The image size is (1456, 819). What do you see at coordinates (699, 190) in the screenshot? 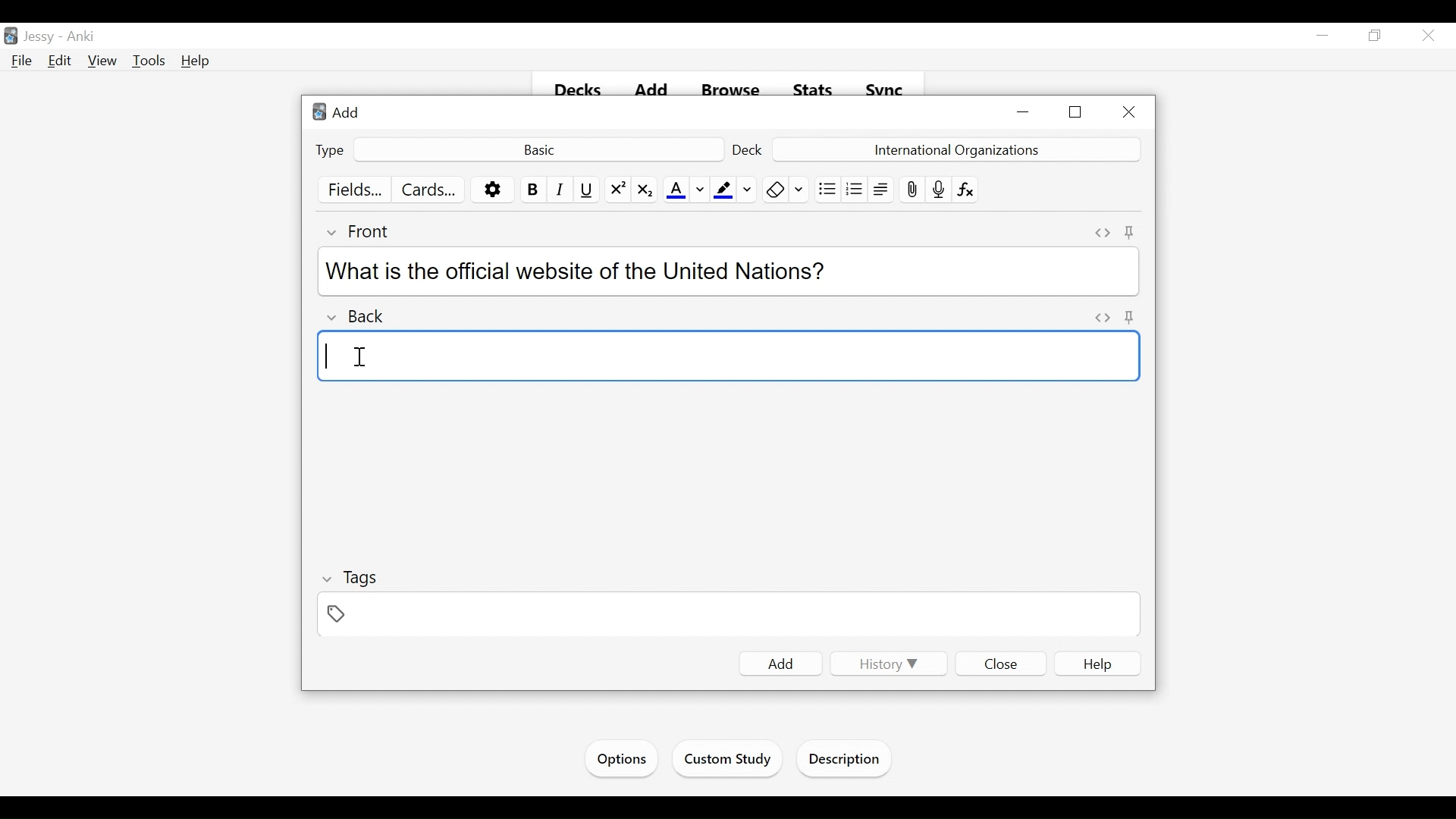
I see `Change color` at bounding box center [699, 190].